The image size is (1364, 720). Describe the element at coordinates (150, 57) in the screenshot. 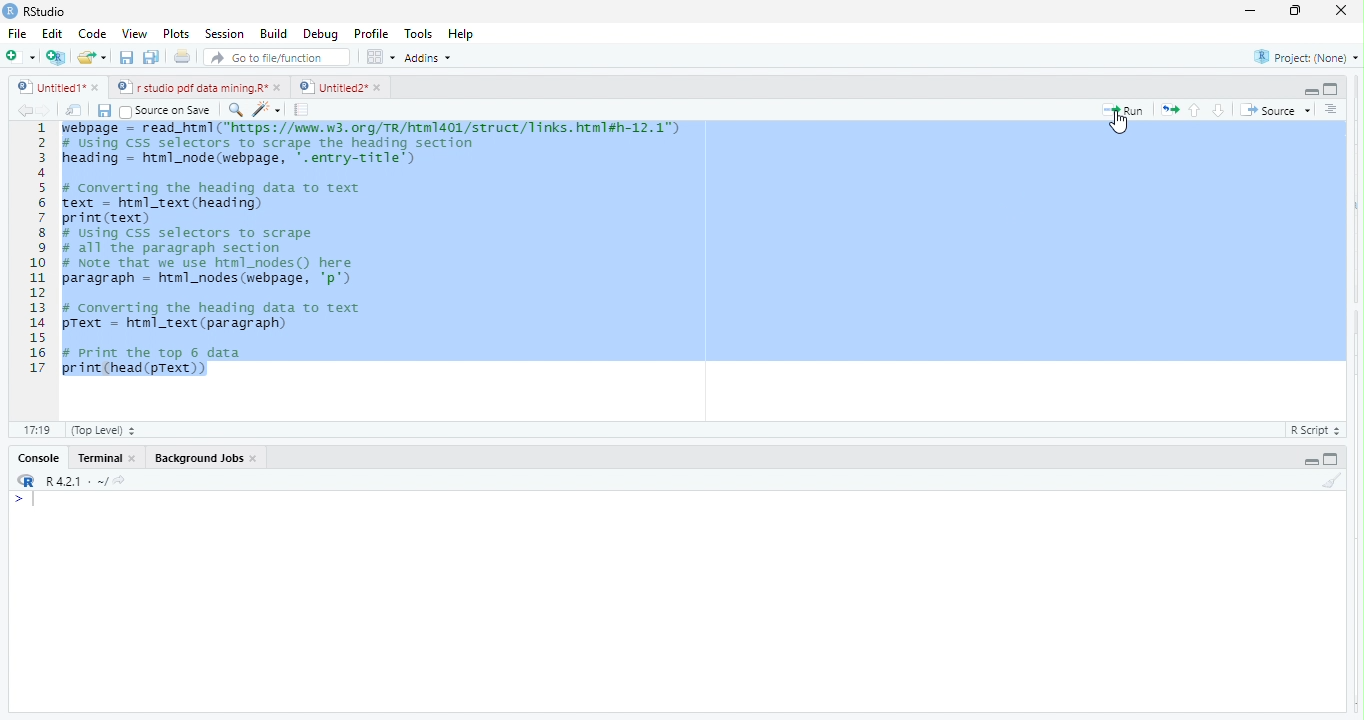

I see `save all open document` at that location.